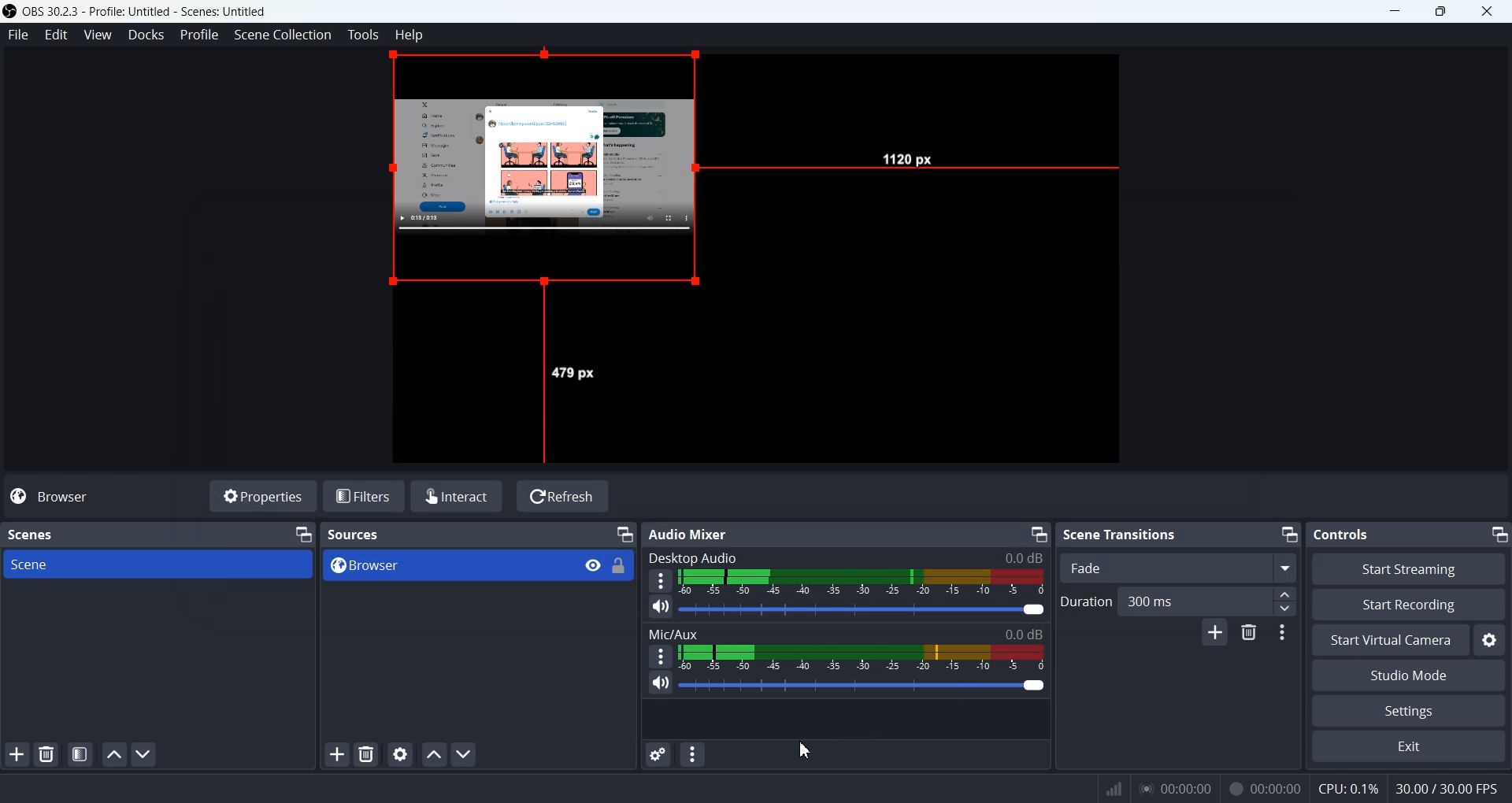 The image size is (1512, 803). What do you see at coordinates (30, 533) in the screenshot?
I see `Scenes` at bounding box center [30, 533].